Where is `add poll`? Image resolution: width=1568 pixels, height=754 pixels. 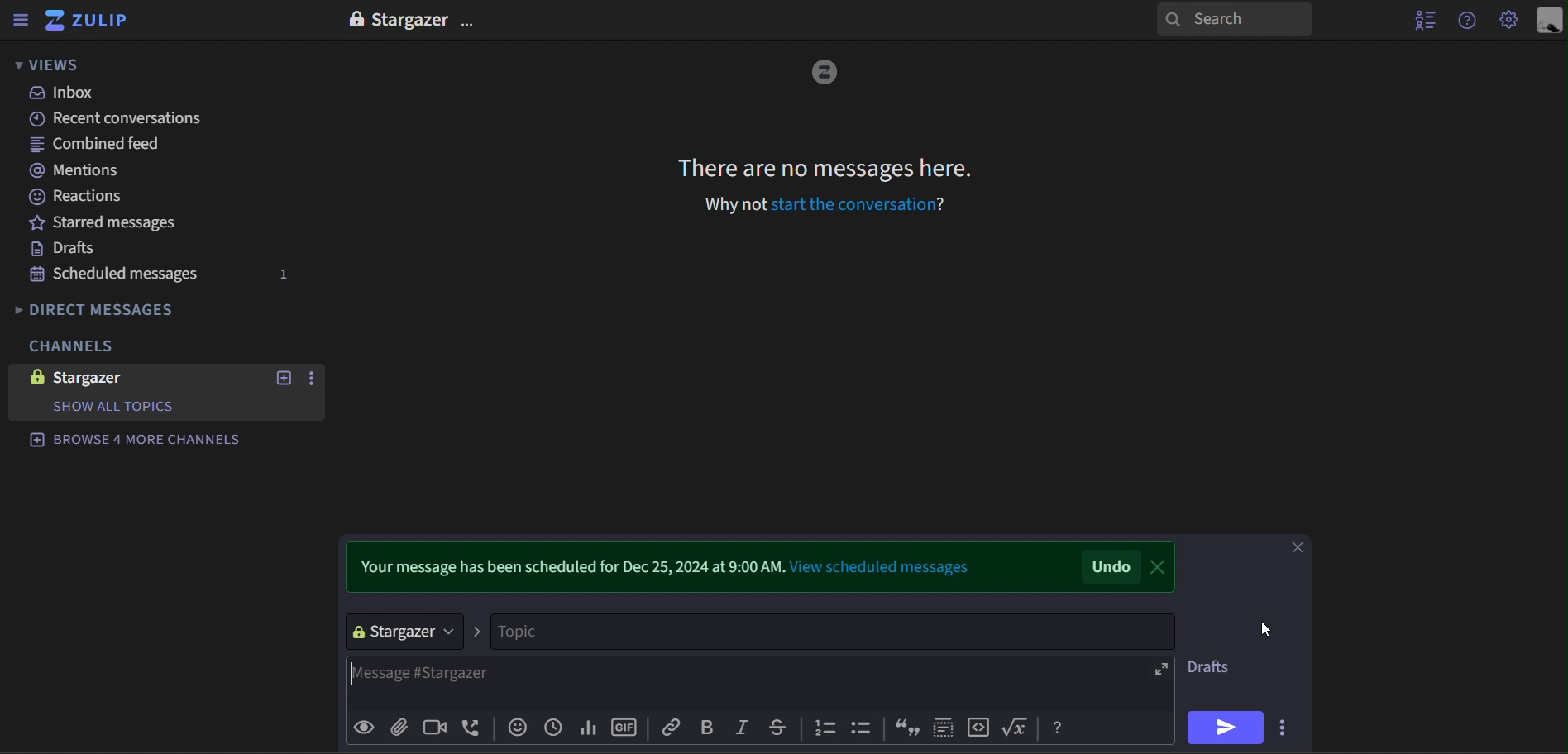 add poll is located at coordinates (590, 730).